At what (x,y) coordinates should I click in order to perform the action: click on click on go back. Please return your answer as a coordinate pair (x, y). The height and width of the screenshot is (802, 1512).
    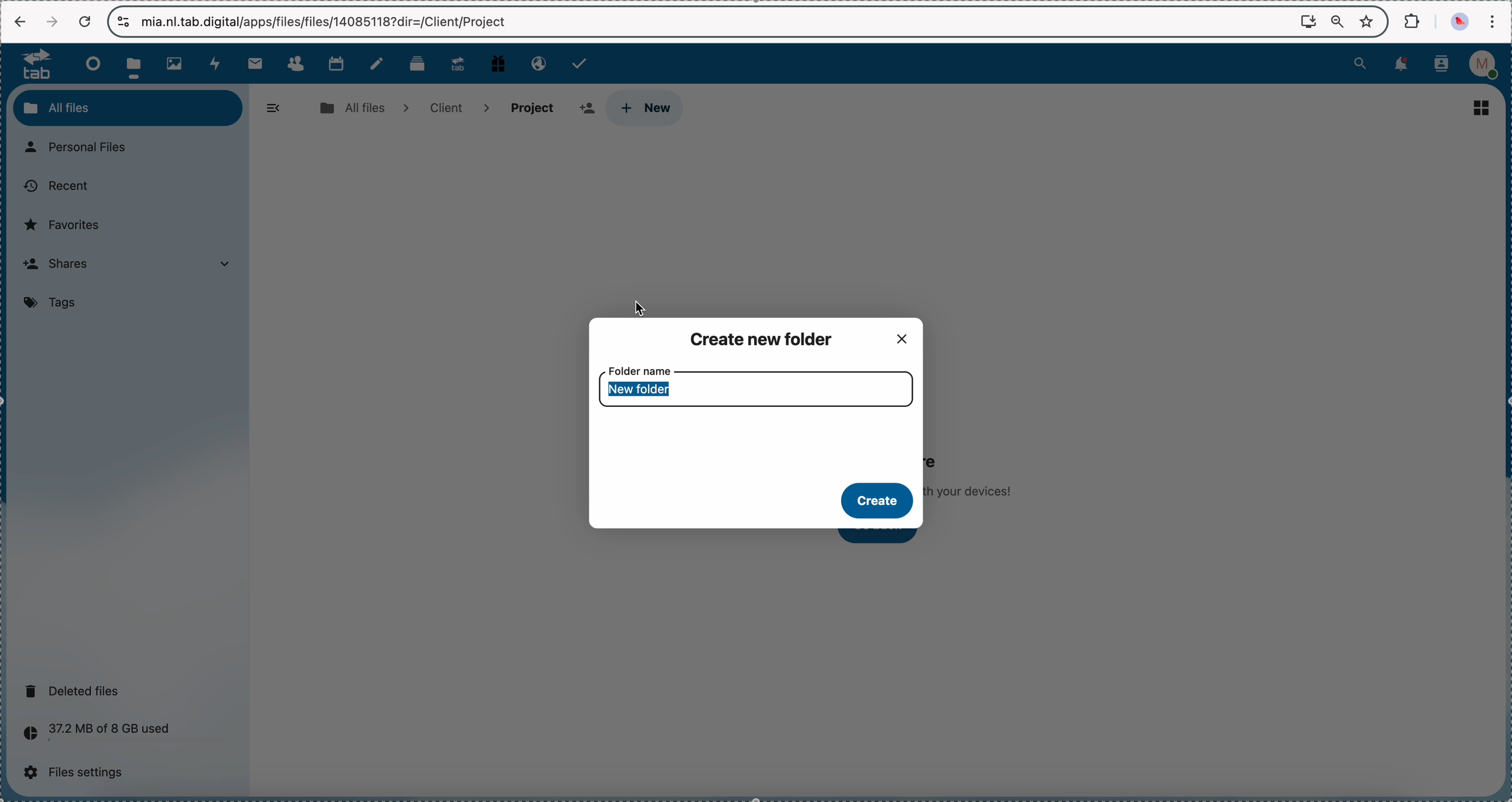
    Looking at the image, I should click on (885, 537).